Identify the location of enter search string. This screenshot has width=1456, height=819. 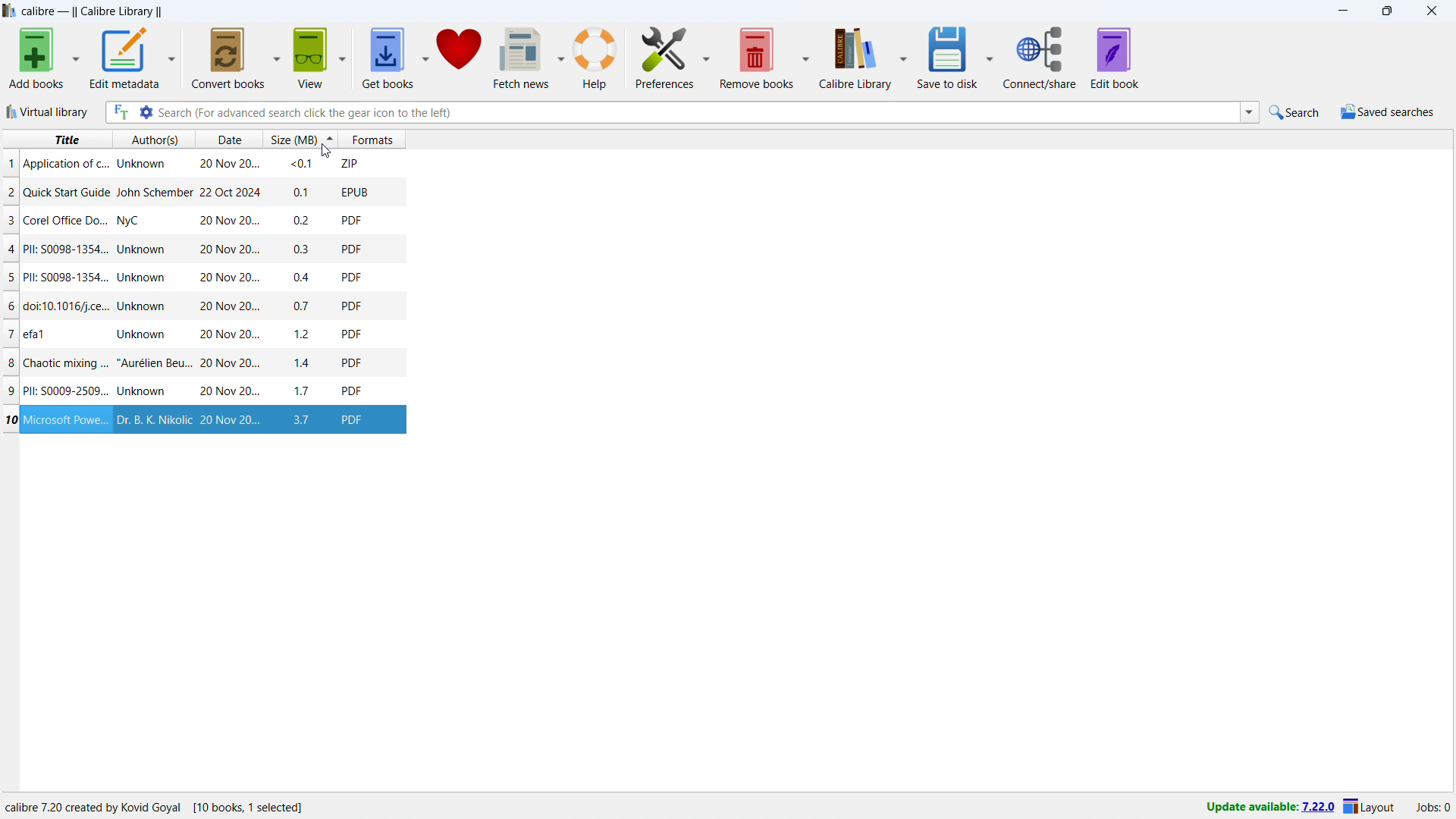
(698, 111).